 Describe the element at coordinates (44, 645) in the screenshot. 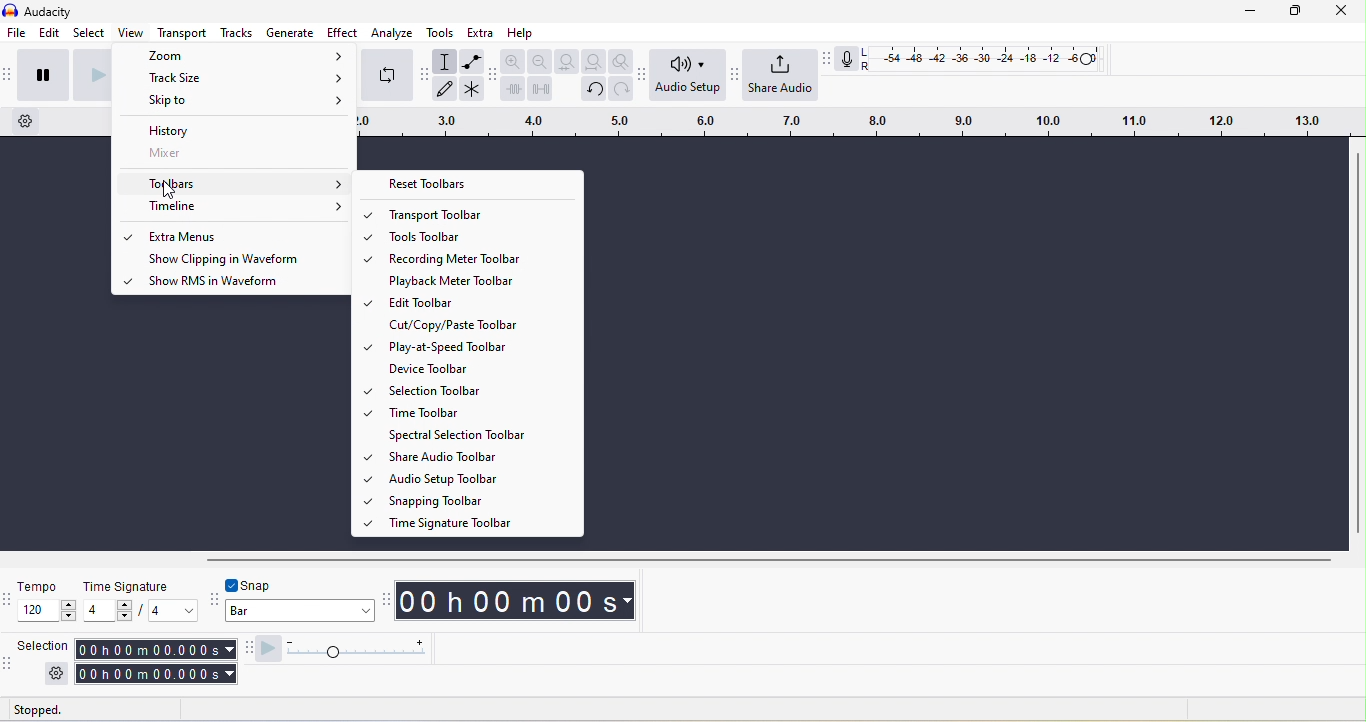

I see `selection` at that location.